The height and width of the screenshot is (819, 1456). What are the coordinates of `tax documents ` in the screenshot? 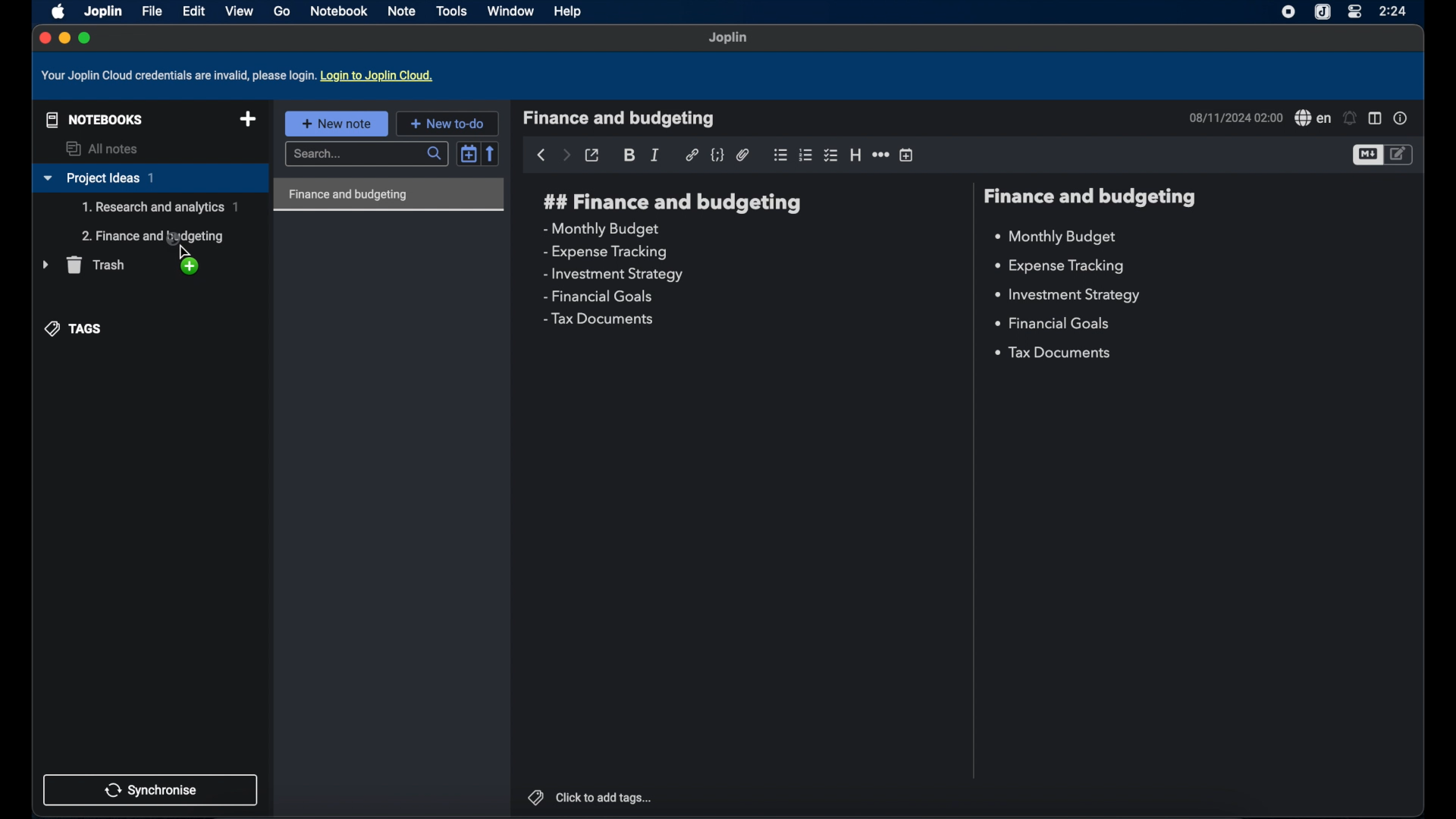 It's located at (598, 318).